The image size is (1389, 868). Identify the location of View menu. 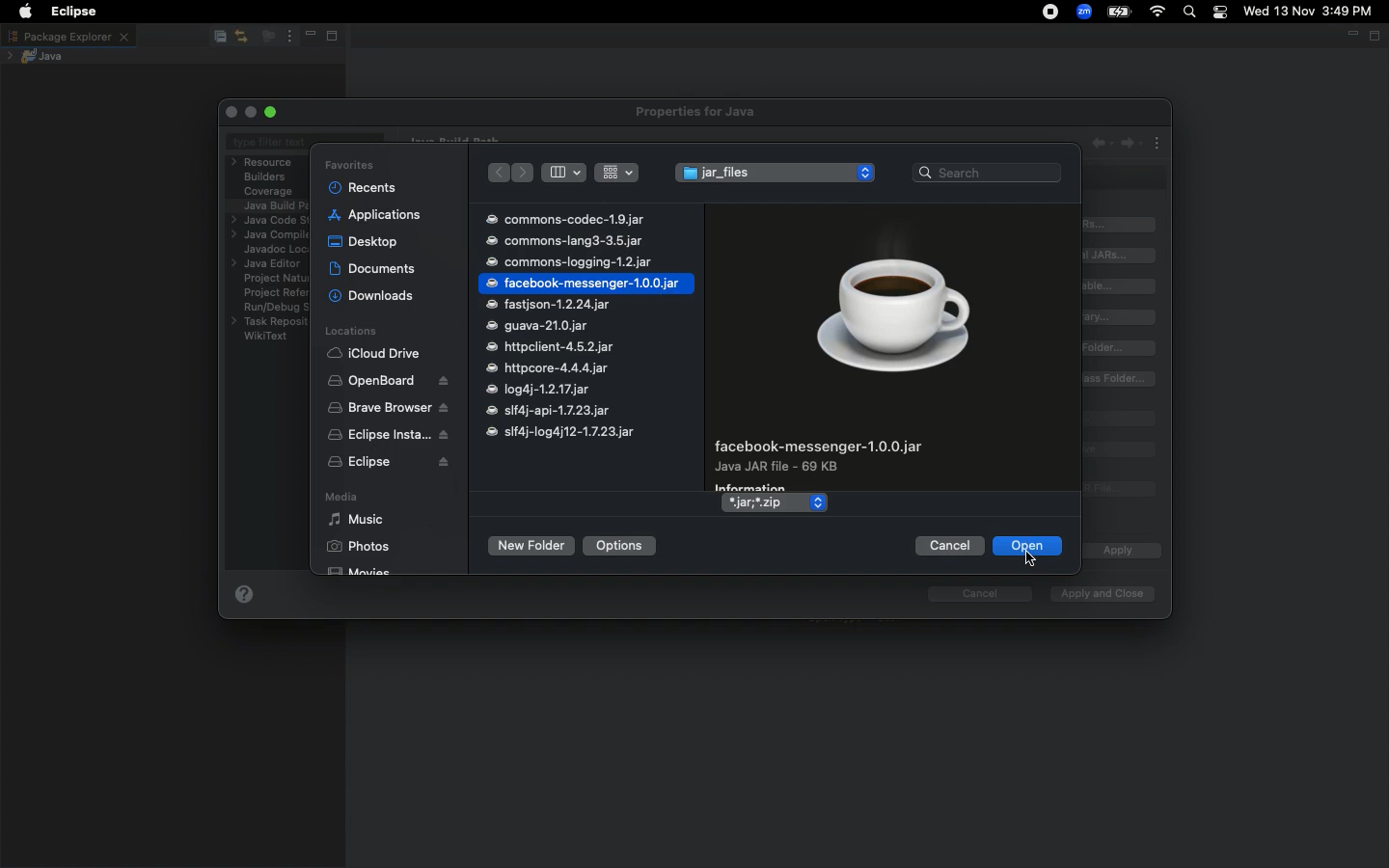
(287, 37).